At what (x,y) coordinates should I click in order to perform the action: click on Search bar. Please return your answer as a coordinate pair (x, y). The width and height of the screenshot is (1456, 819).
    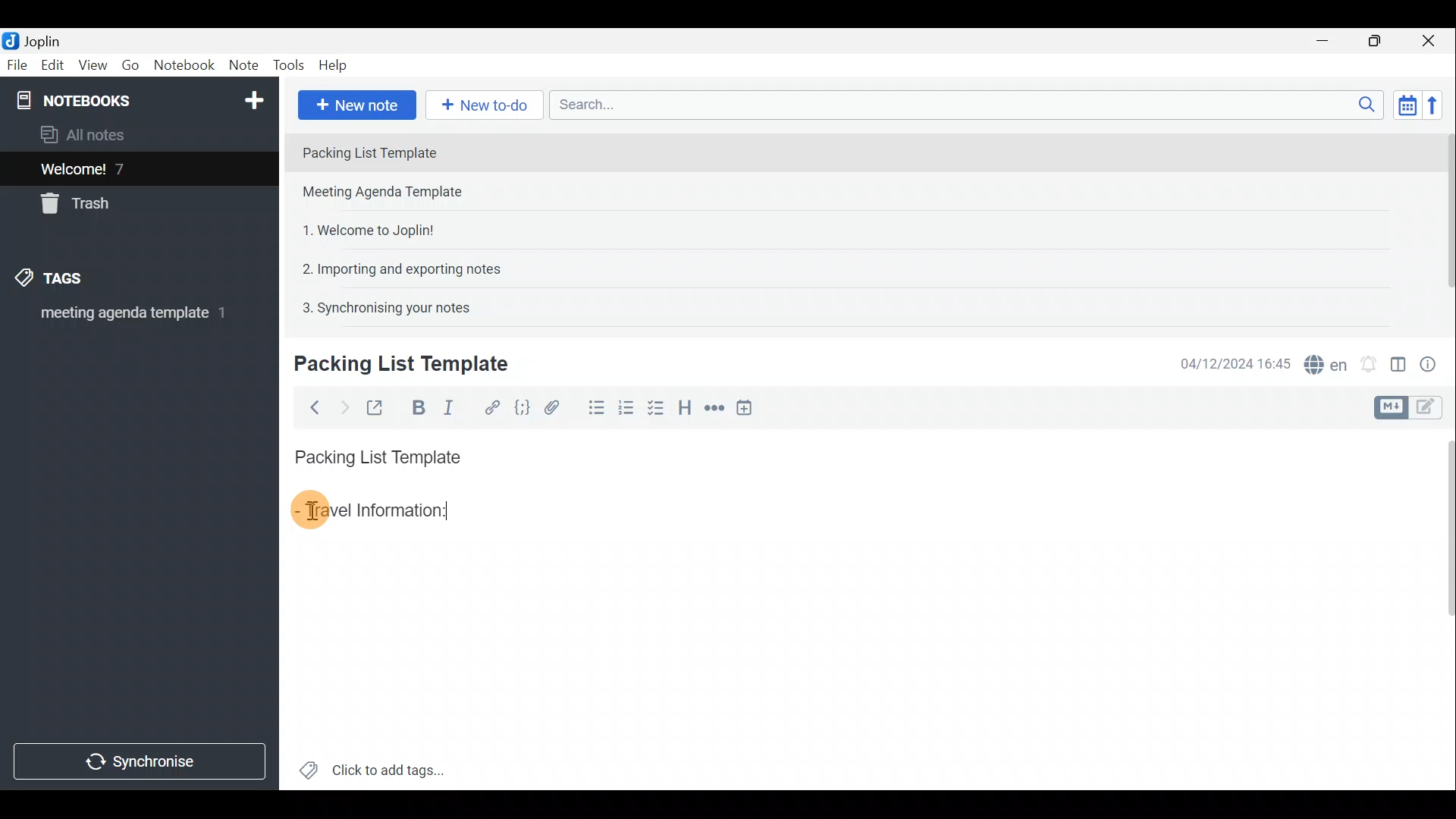
    Looking at the image, I should click on (962, 106).